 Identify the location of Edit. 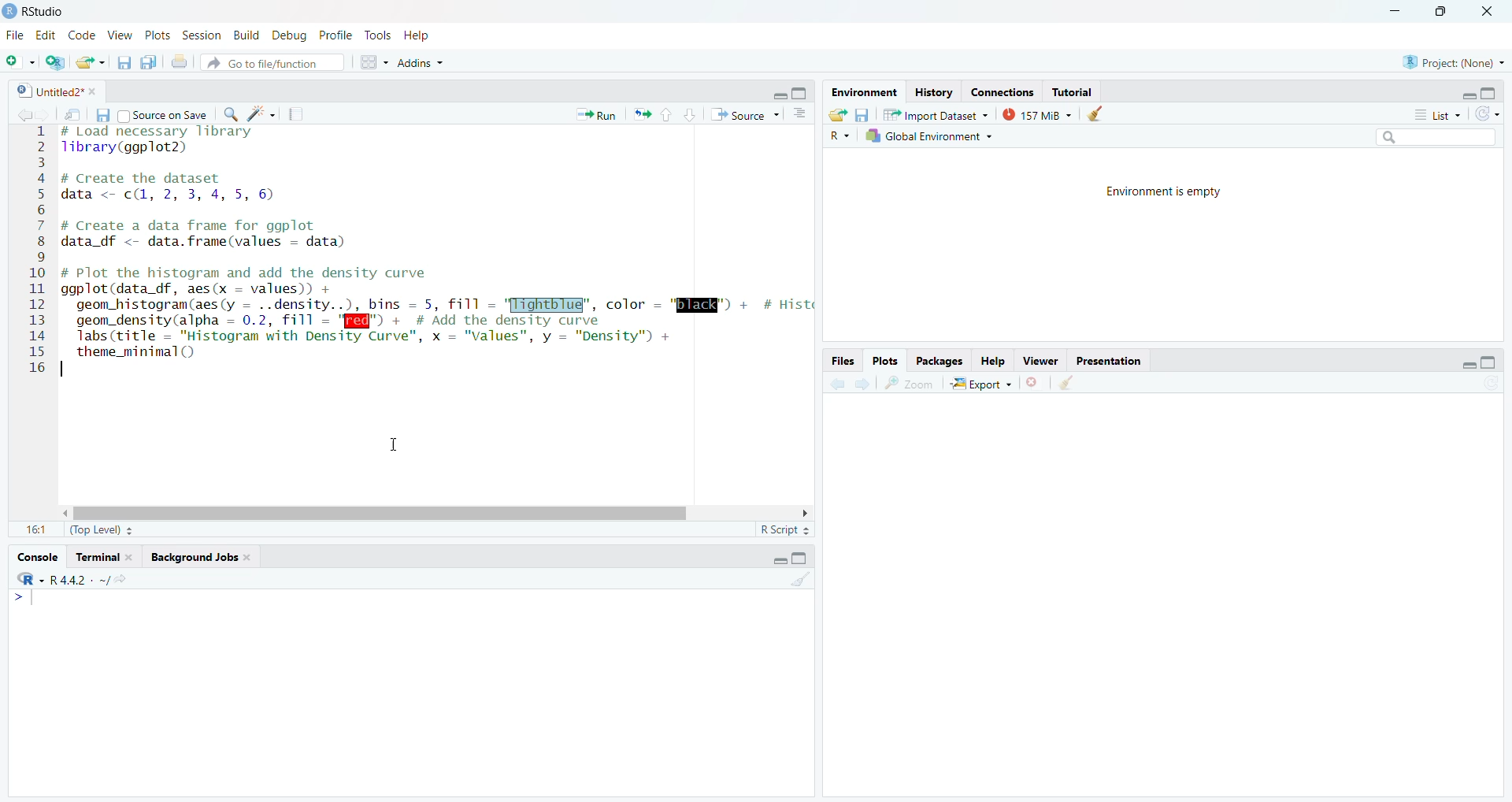
(46, 34).